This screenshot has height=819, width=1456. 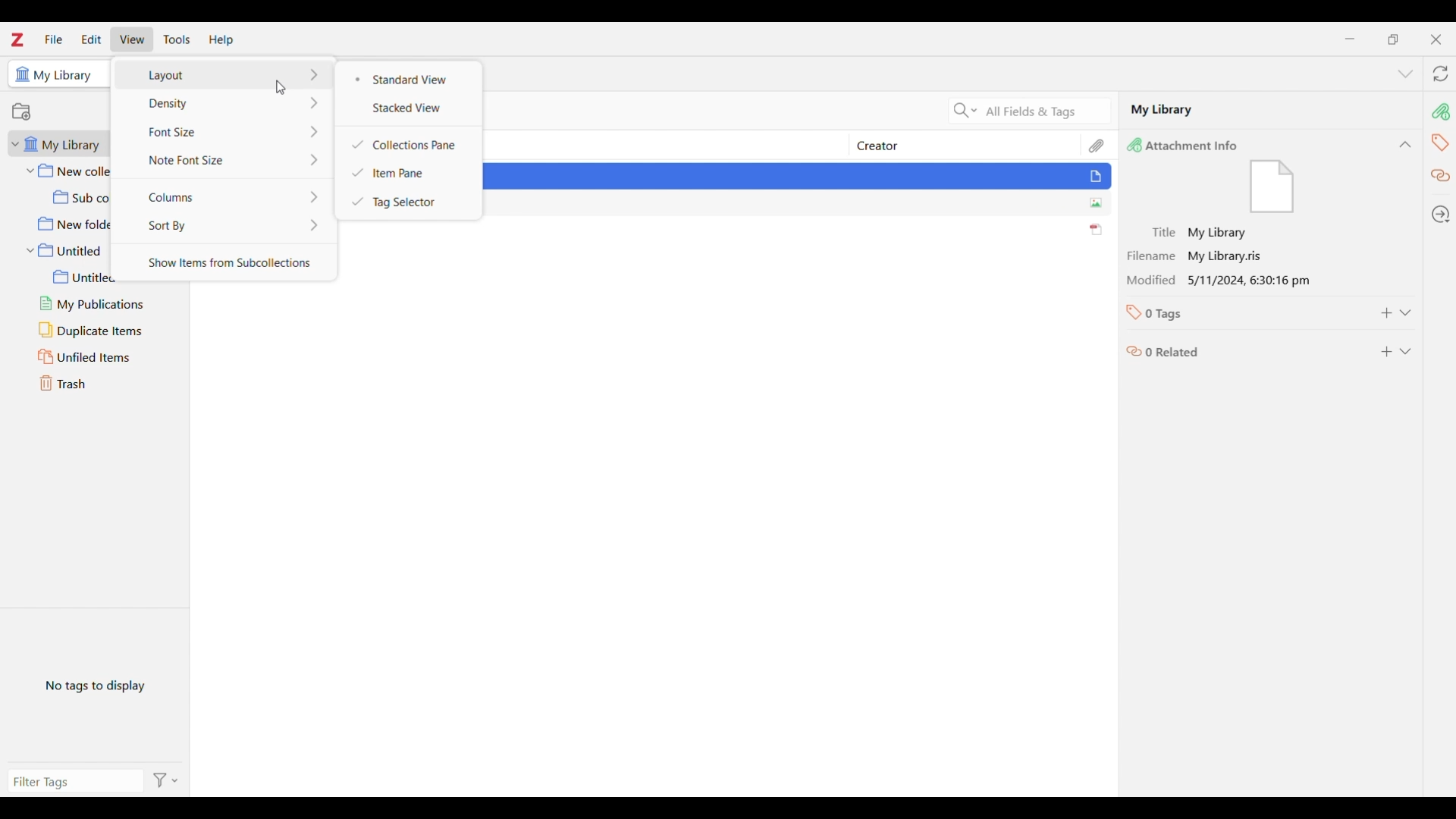 What do you see at coordinates (69, 783) in the screenshot?
I see `Type filter tags` at bounding box center [69, 783].